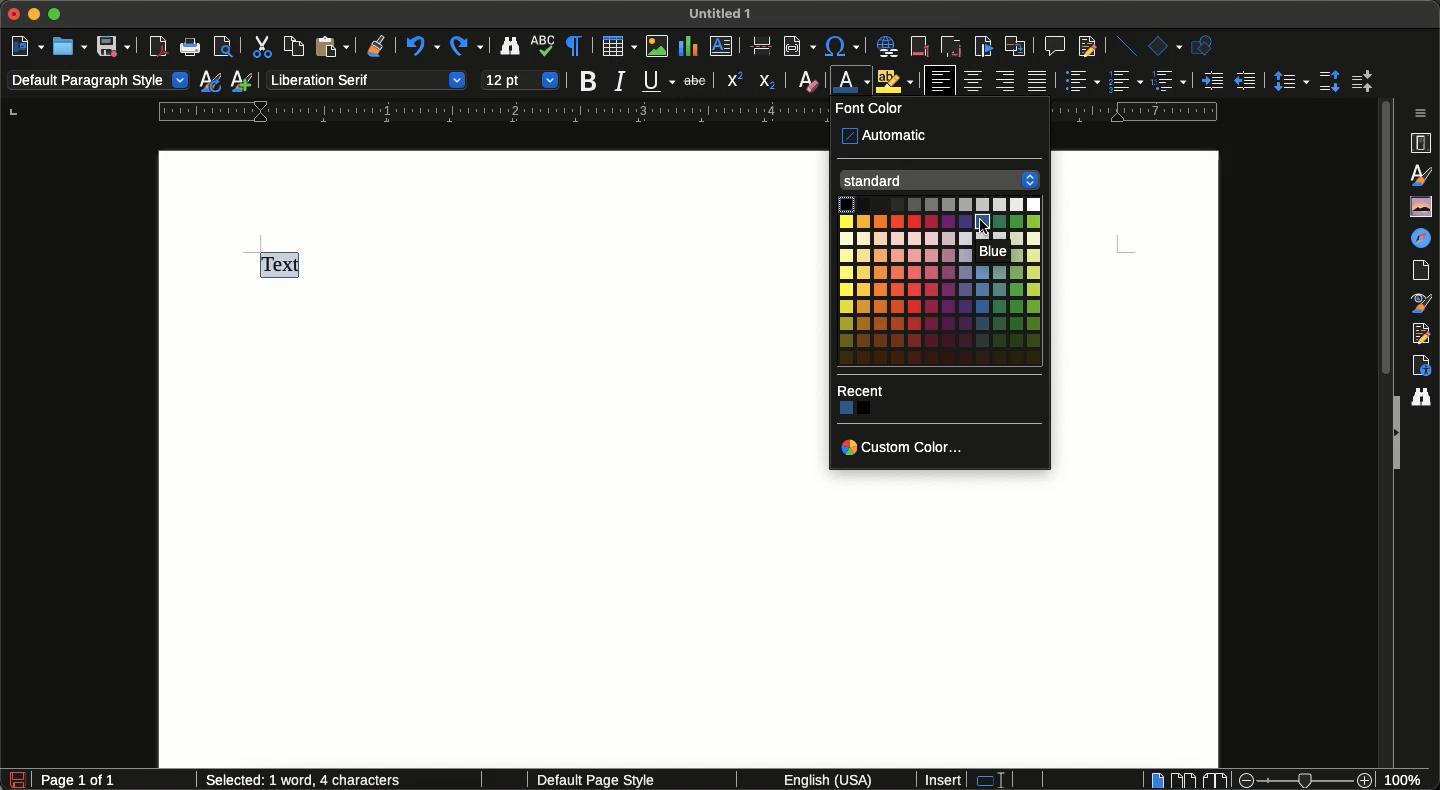  I want to click on Strikethrough, so click(693, 82).